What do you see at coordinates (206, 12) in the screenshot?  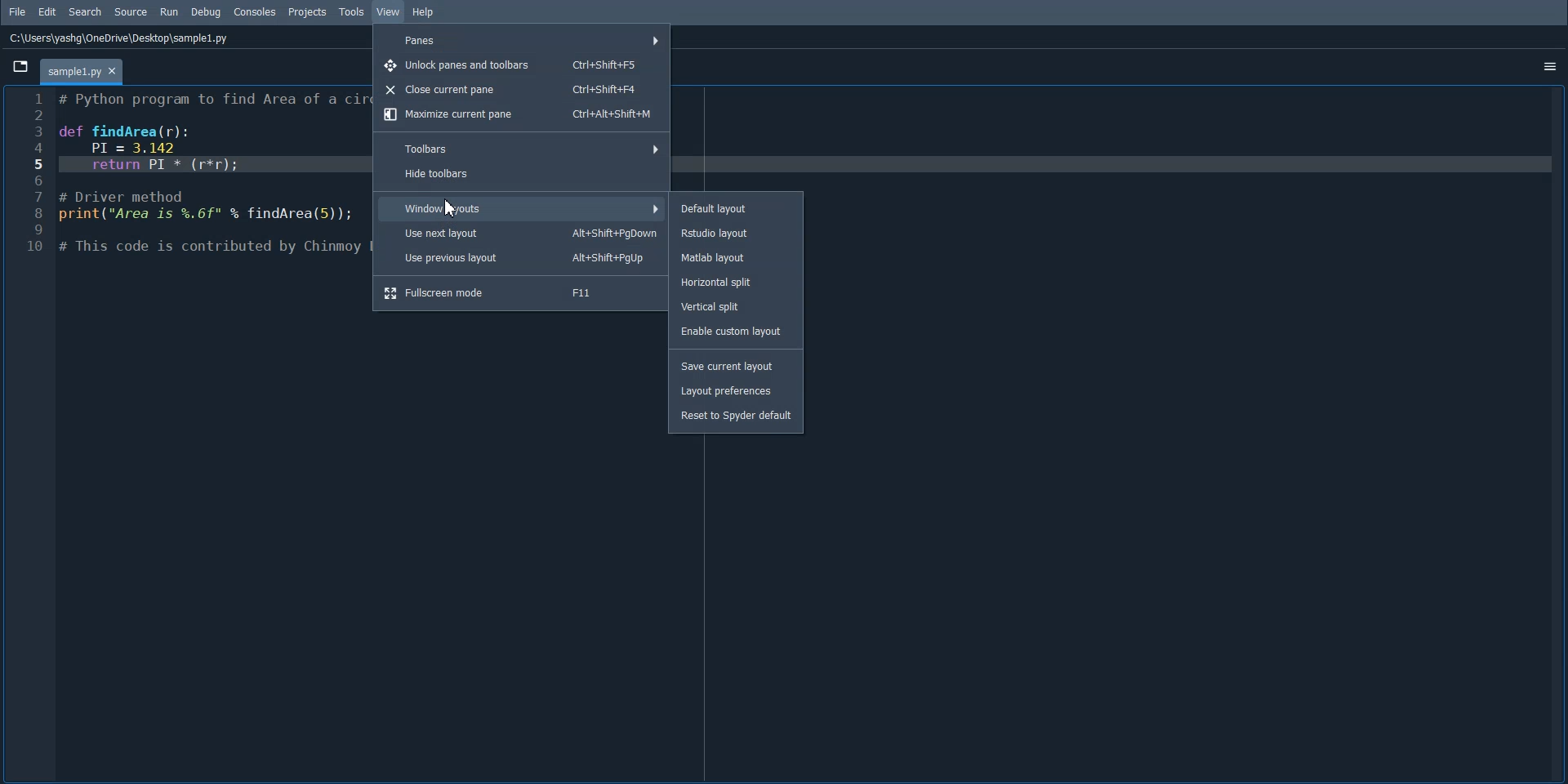 I see `Debug` at bounding box center [206, 12].